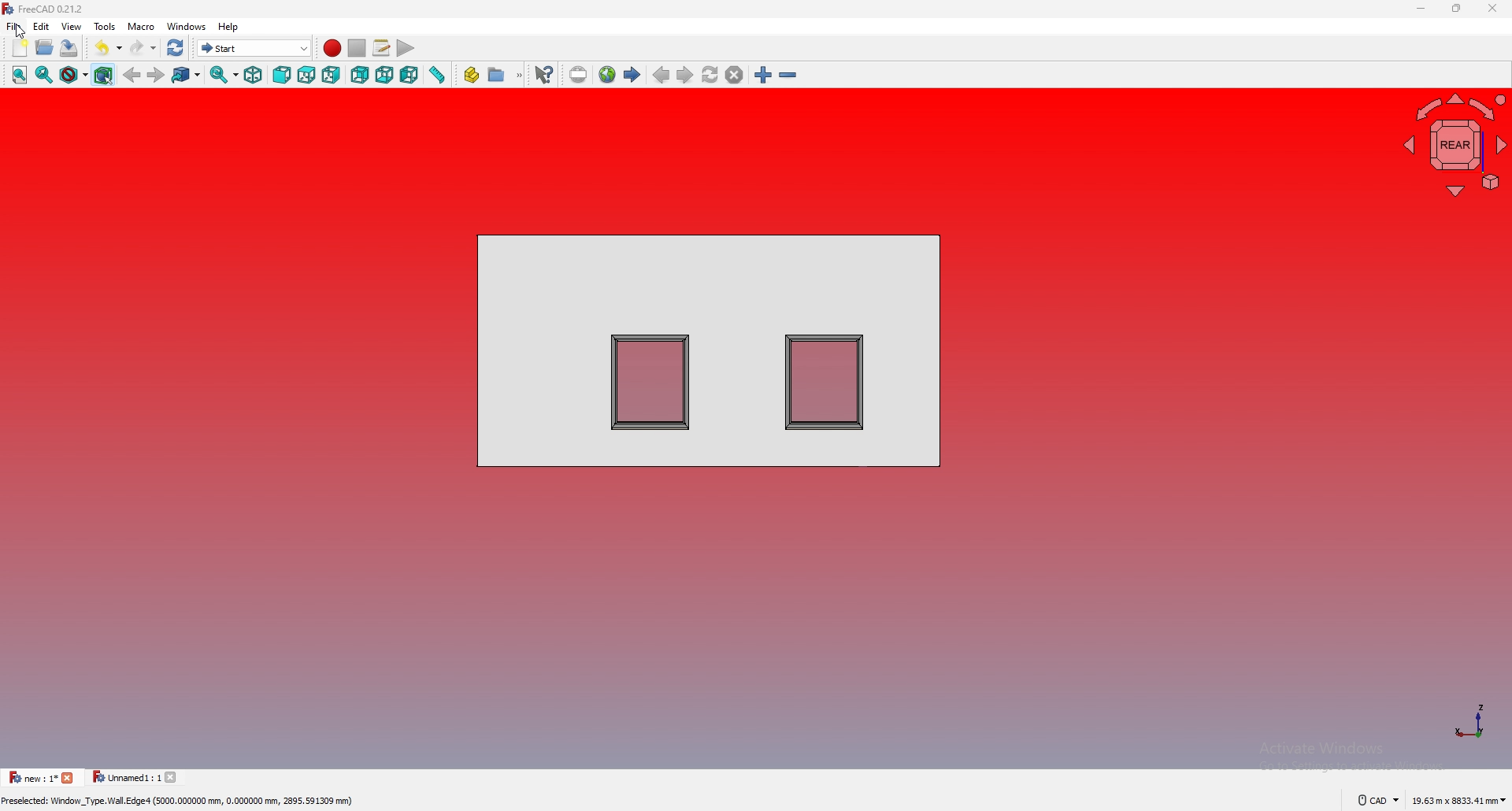 This screenshot has height=811, width=1512. I want to click on shapes, so click(709, 350).